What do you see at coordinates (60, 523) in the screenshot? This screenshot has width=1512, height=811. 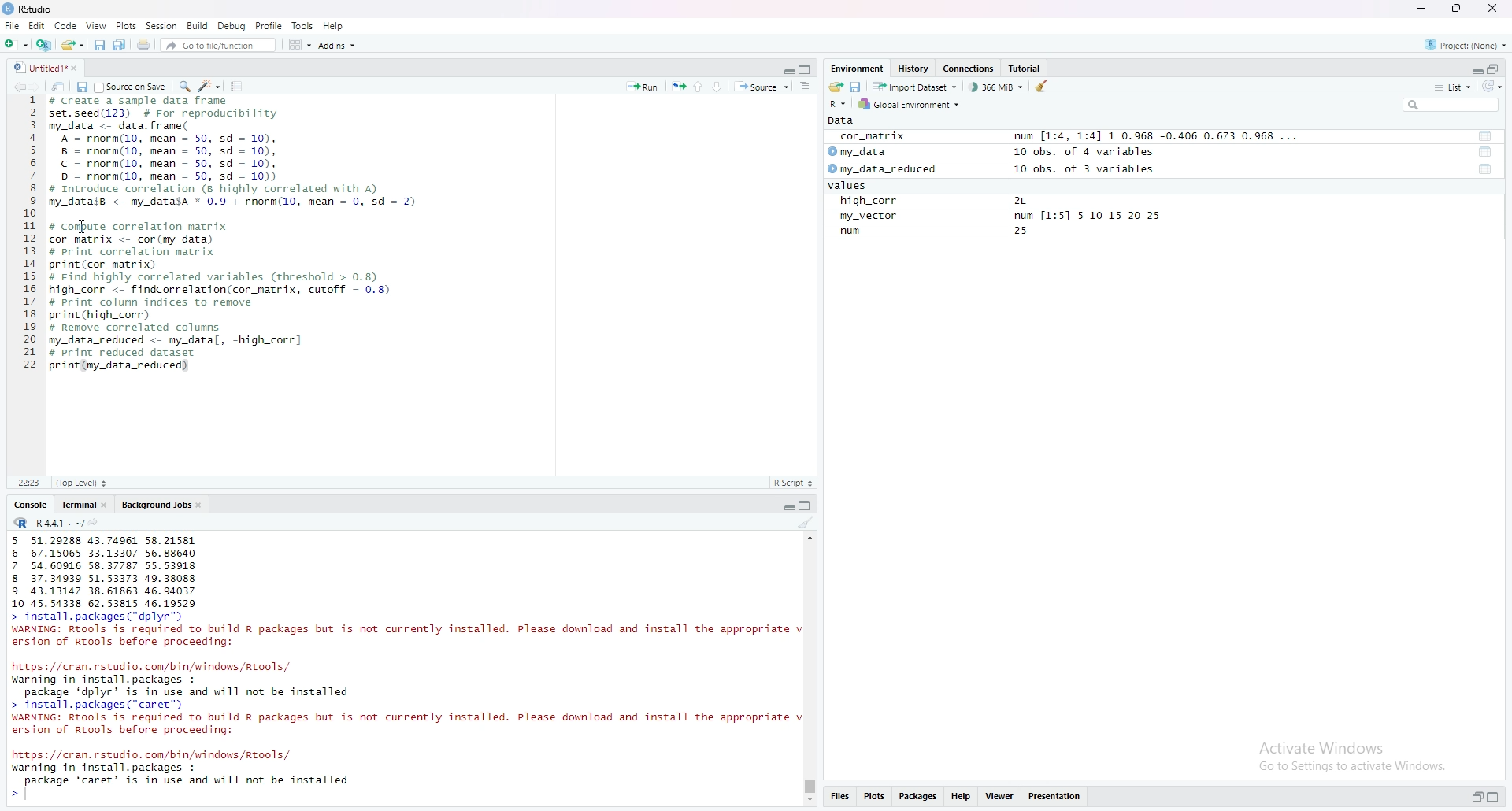 I see `R 4.4.1 ~/` at bounding box center [60, 523].